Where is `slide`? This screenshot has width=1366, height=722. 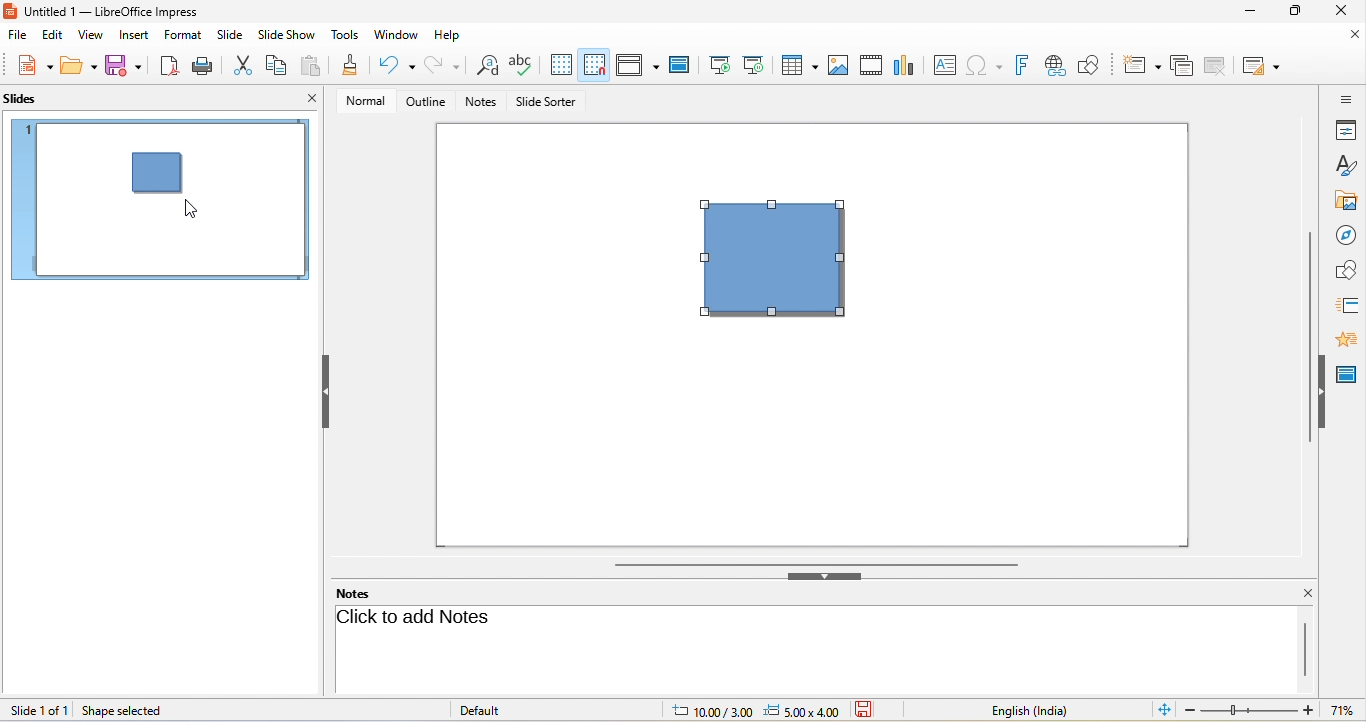
slide is located at coordinates (231, 35).